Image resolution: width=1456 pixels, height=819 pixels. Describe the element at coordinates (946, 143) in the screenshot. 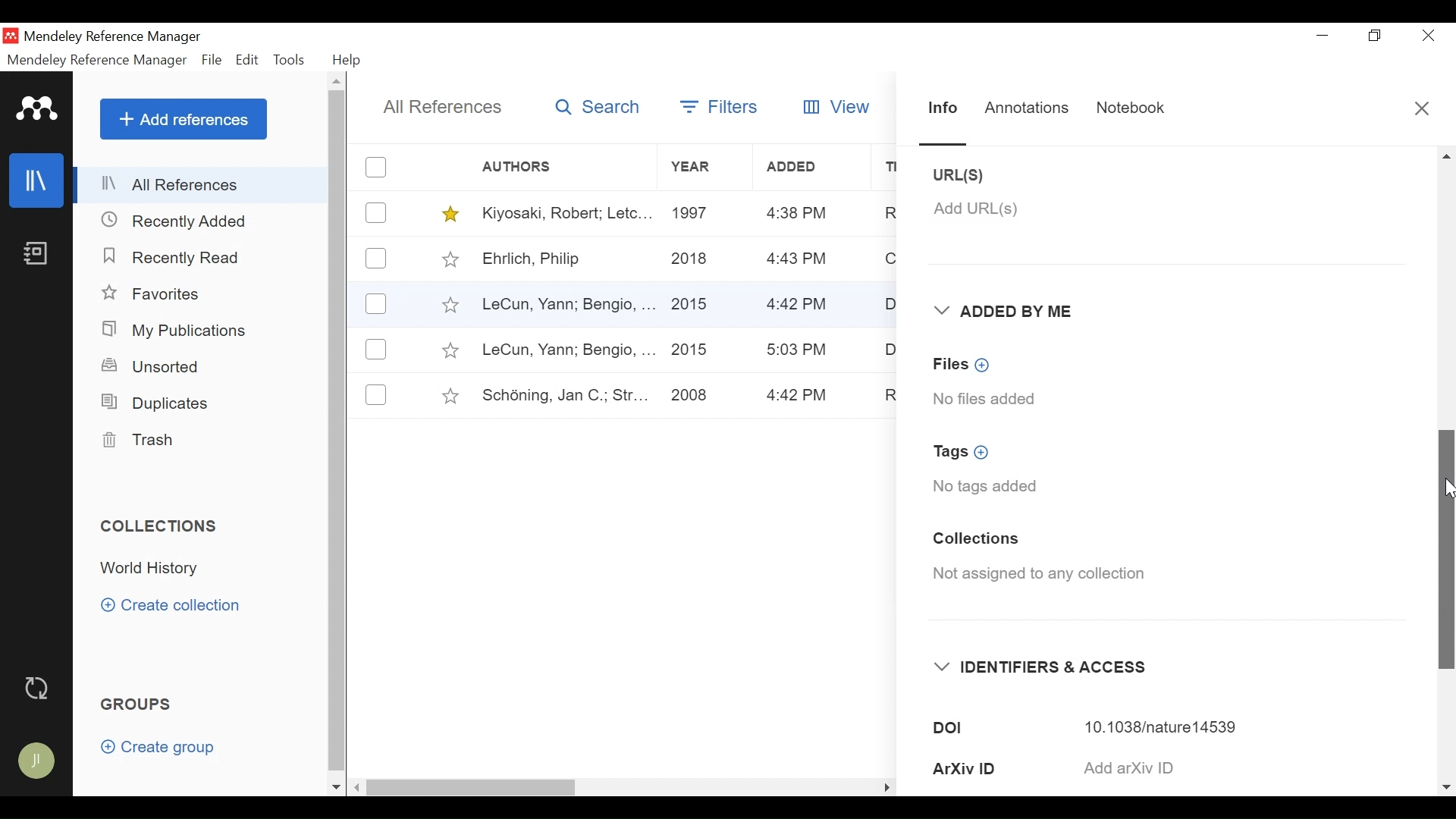

I see `Slider` at that location.